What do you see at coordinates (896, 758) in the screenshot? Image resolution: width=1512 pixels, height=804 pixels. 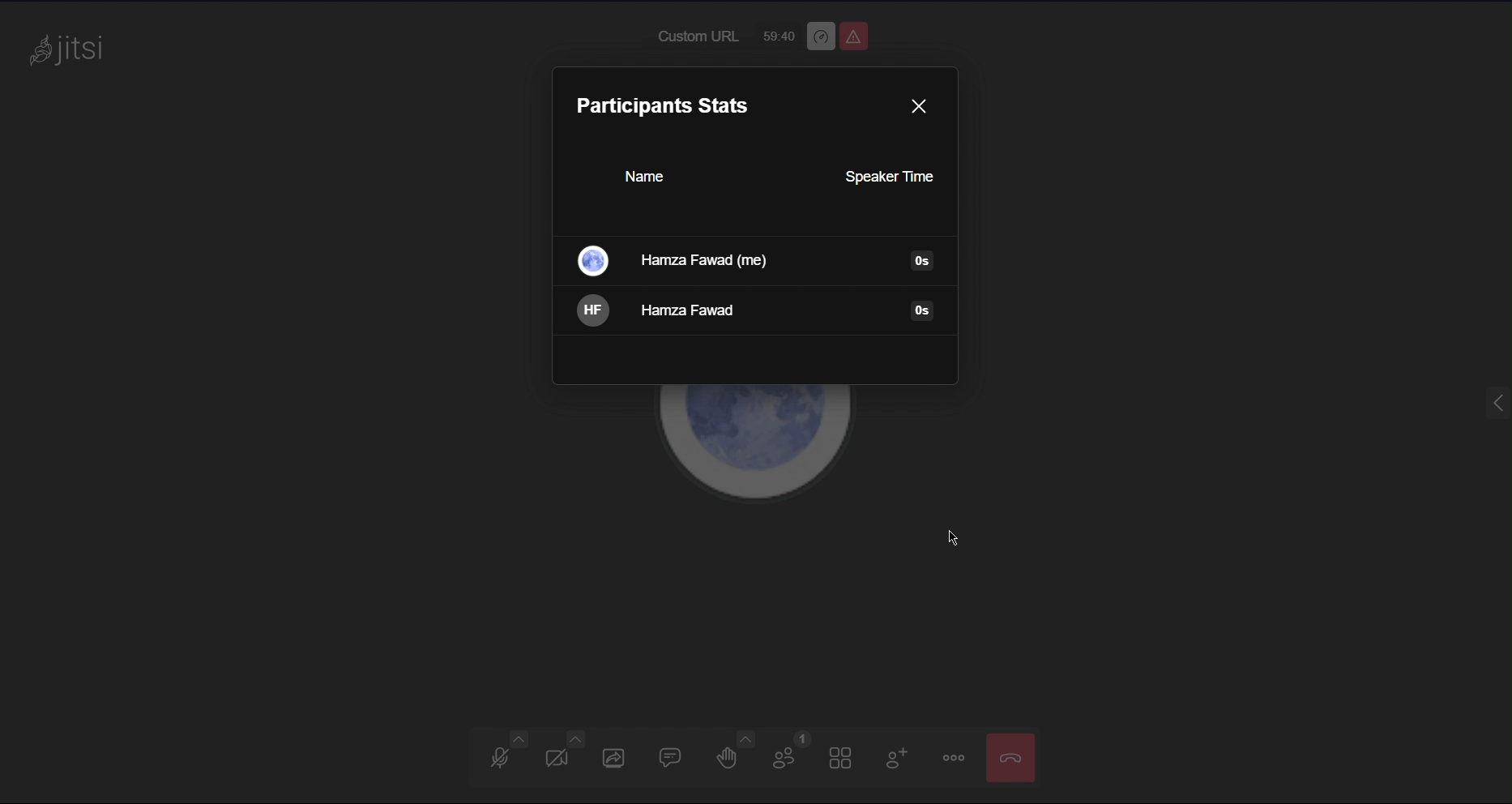 I see `Add Participant` at bounding box center [896, 758].